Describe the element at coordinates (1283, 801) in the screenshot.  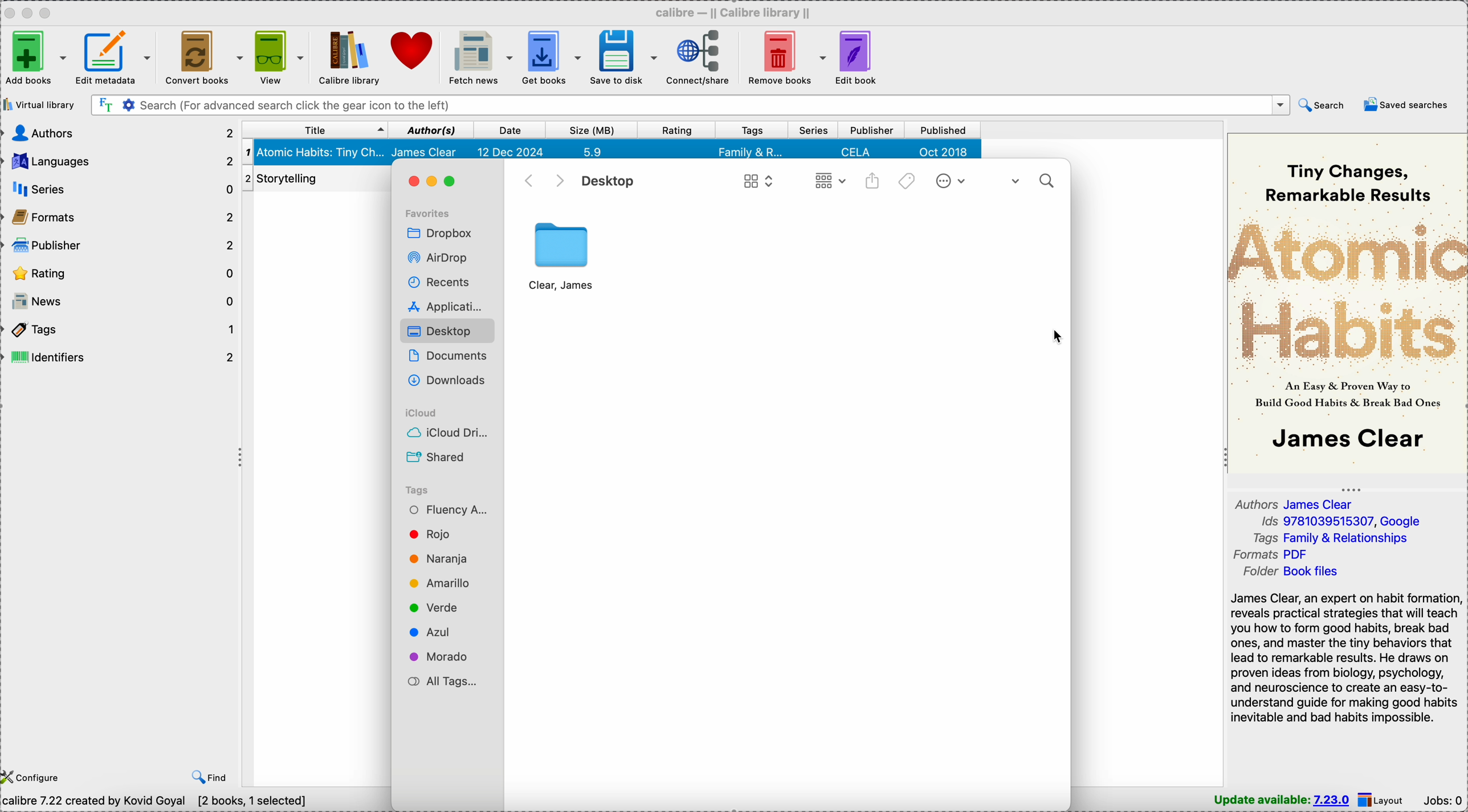
I see `update available: 7.23.0` at that location.